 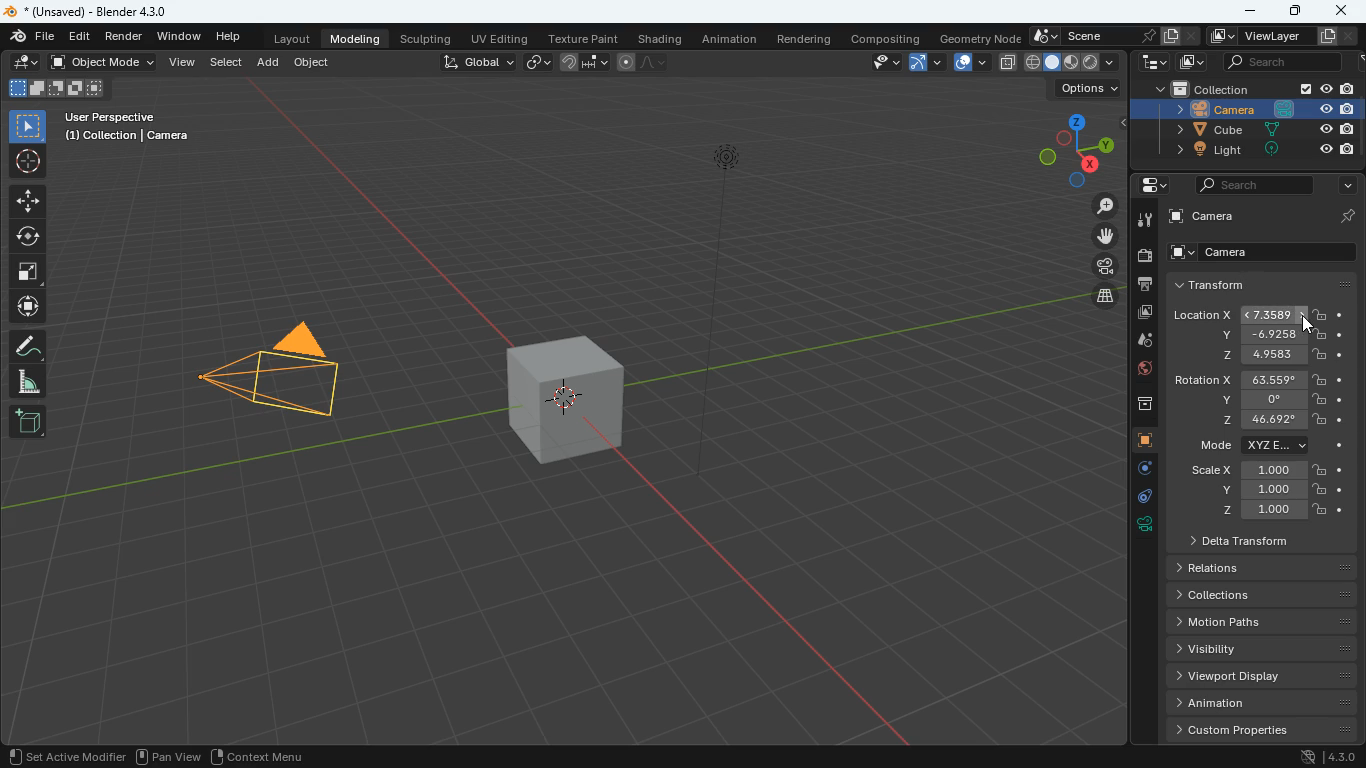 I want to click on custom properties, so click(x=1259, y=729).